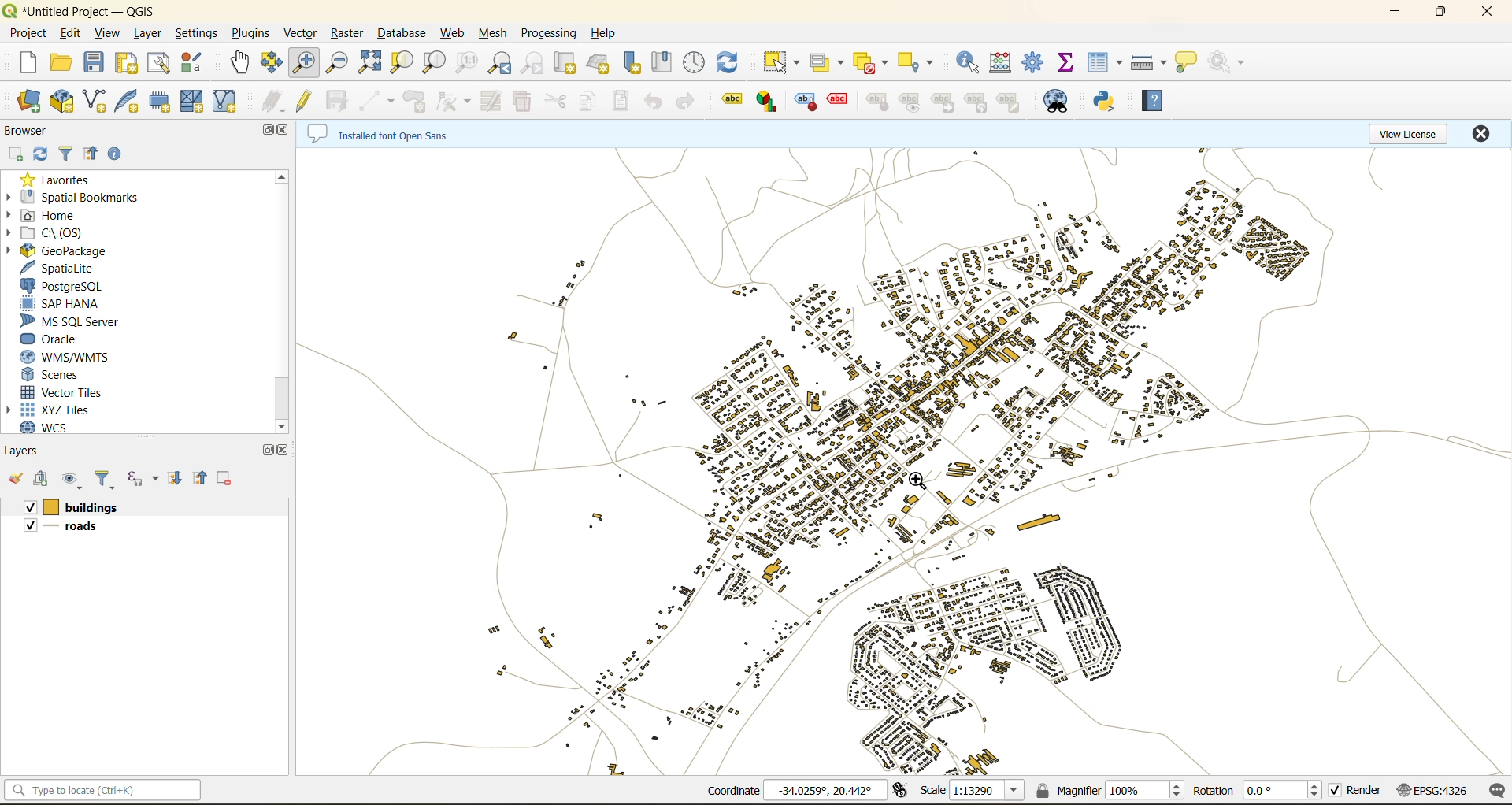 The height and width of the screenshot is (805, 1512). I want to click on attributes table, so click(1102, 61).